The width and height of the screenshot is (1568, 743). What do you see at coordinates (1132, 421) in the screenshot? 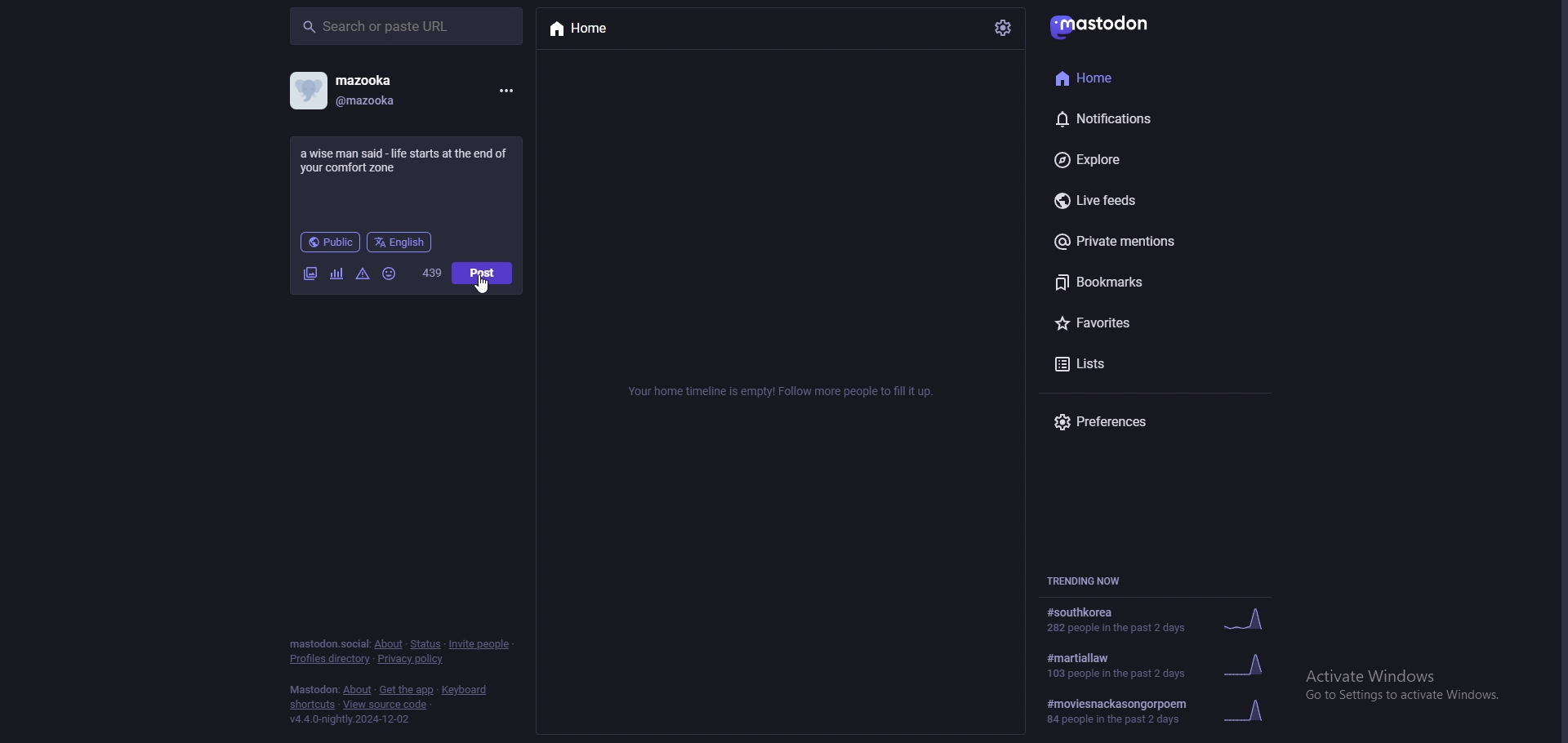
I see `preferences` at bounding box center [1132, 421].